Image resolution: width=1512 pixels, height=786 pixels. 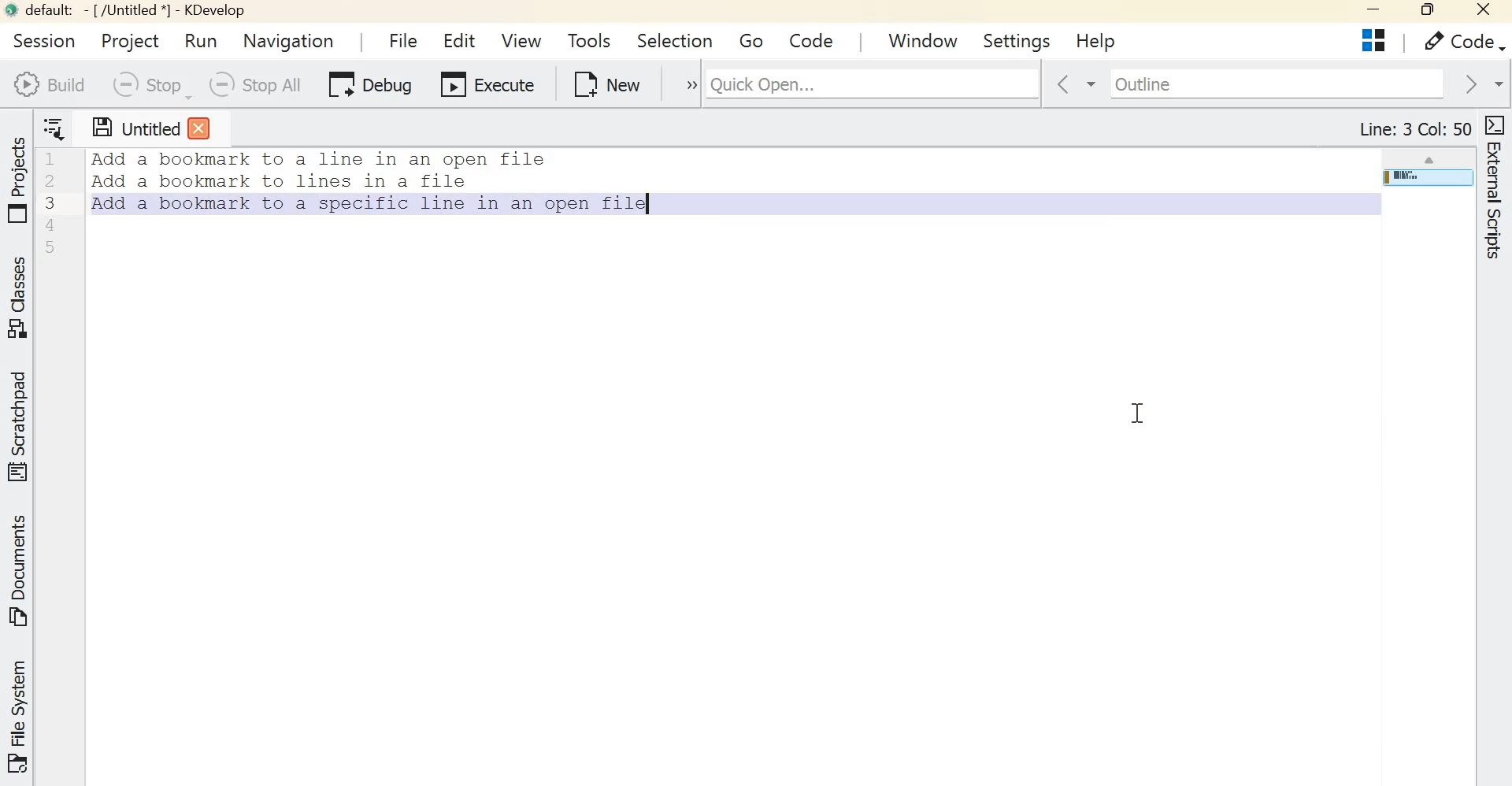 What do you see at coordinates (398, 36) in the screenshot?
I see `File` at bounding box center [398, 36].